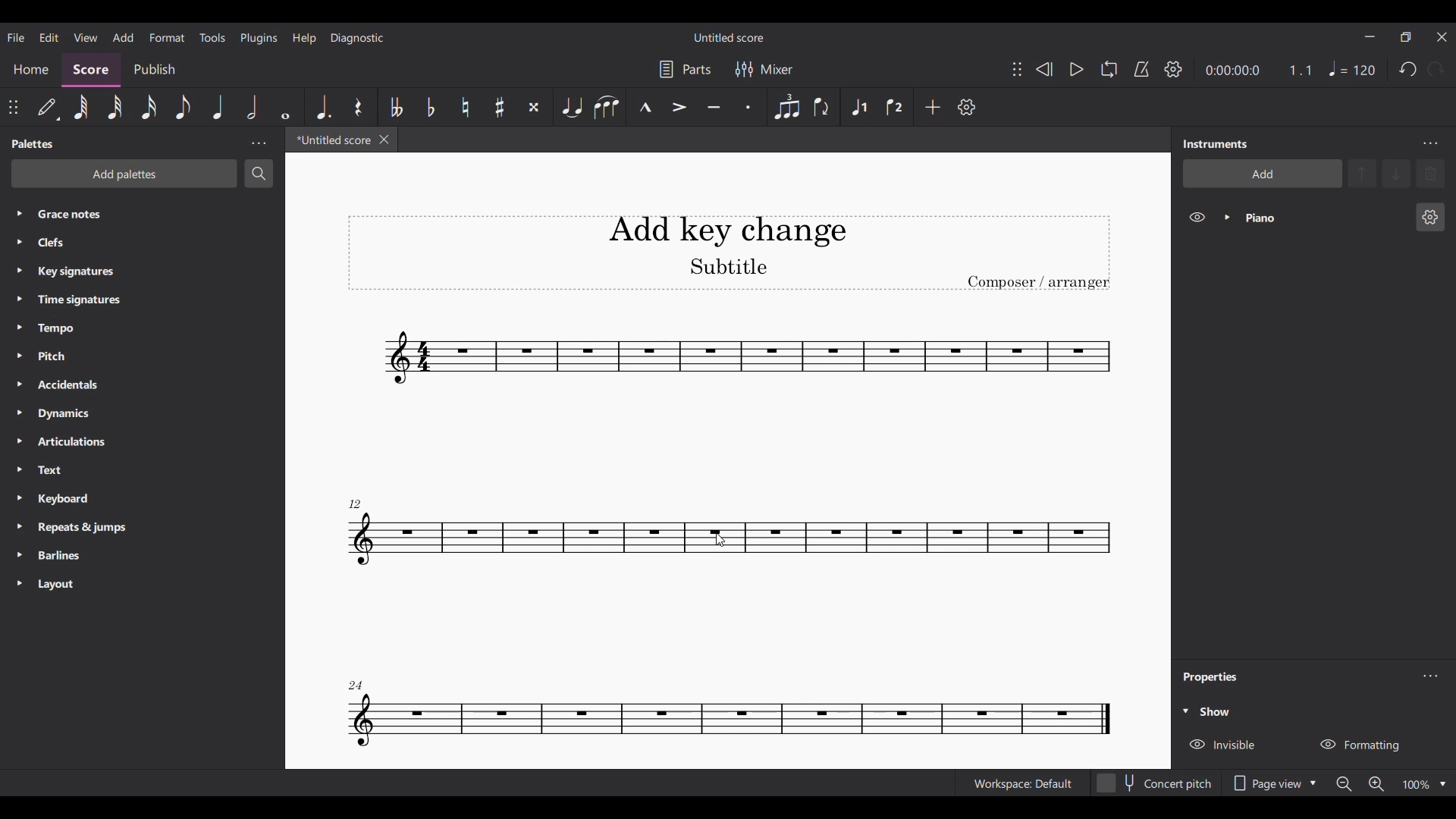 This screenshot has height=819, width=1456. Describe the element at coordinates (500, 106) in the screenshot. I see `Toggle sharp` at that location.